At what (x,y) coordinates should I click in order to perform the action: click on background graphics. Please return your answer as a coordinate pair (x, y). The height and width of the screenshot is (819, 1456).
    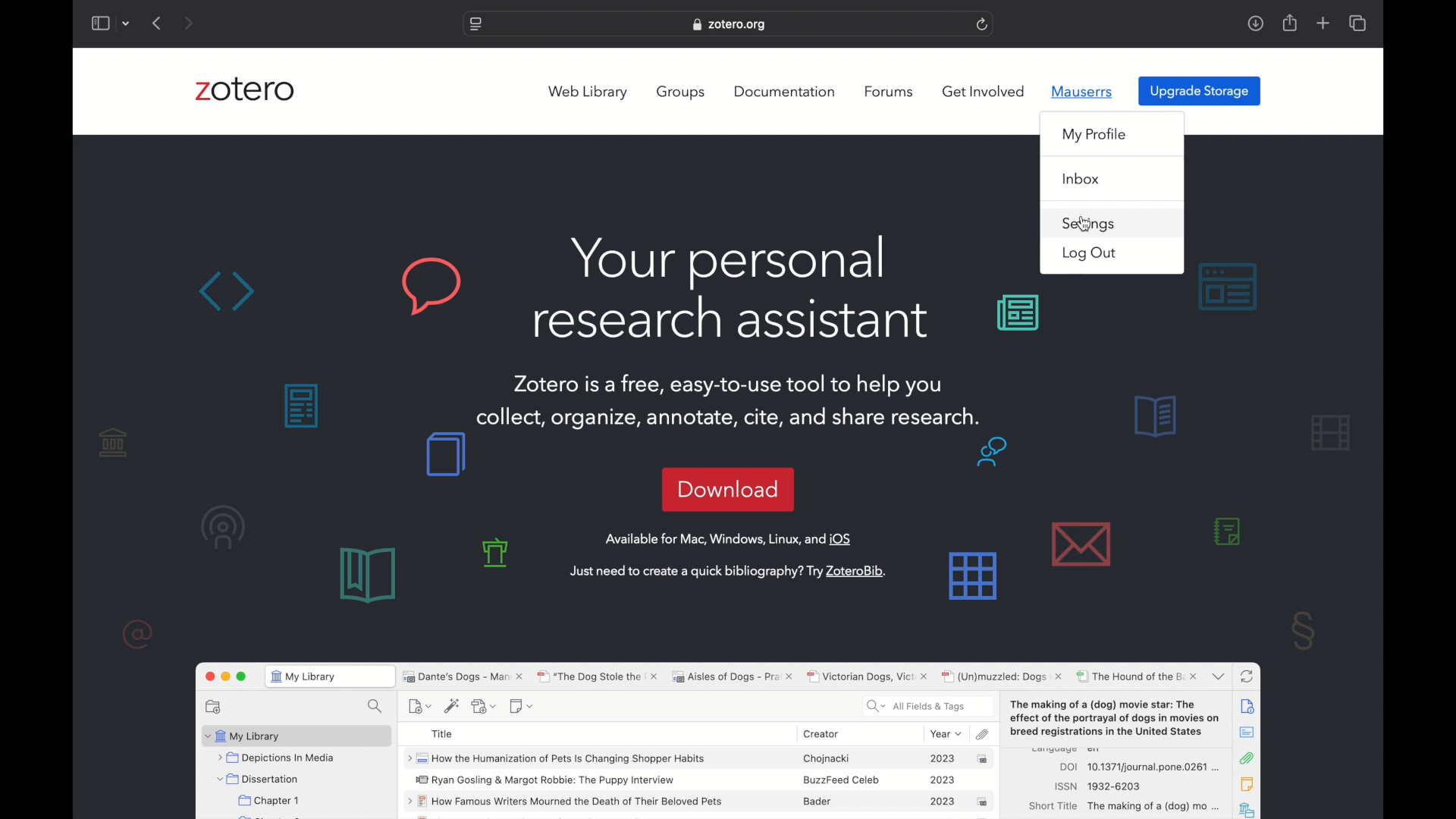
    Looking at the image, I should click on (1030, 520).